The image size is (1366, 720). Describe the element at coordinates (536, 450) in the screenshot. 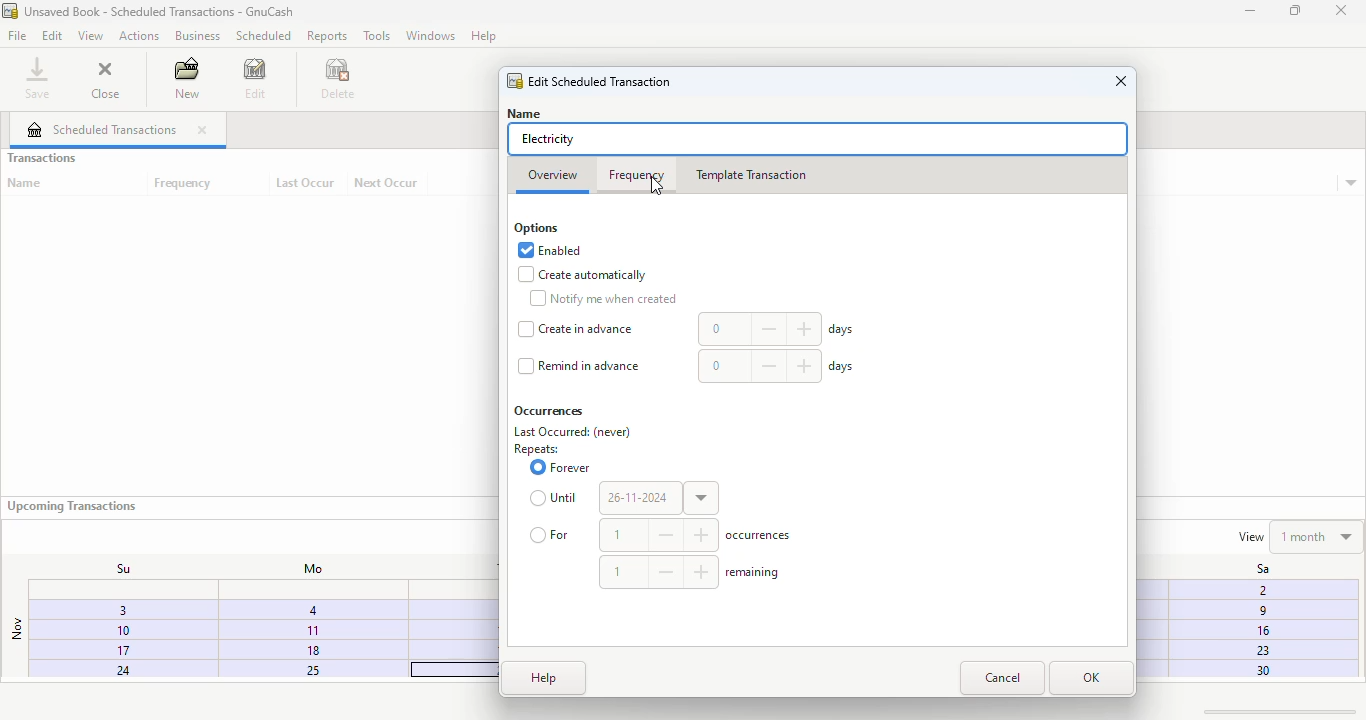

I see `repeats: ` at that location.